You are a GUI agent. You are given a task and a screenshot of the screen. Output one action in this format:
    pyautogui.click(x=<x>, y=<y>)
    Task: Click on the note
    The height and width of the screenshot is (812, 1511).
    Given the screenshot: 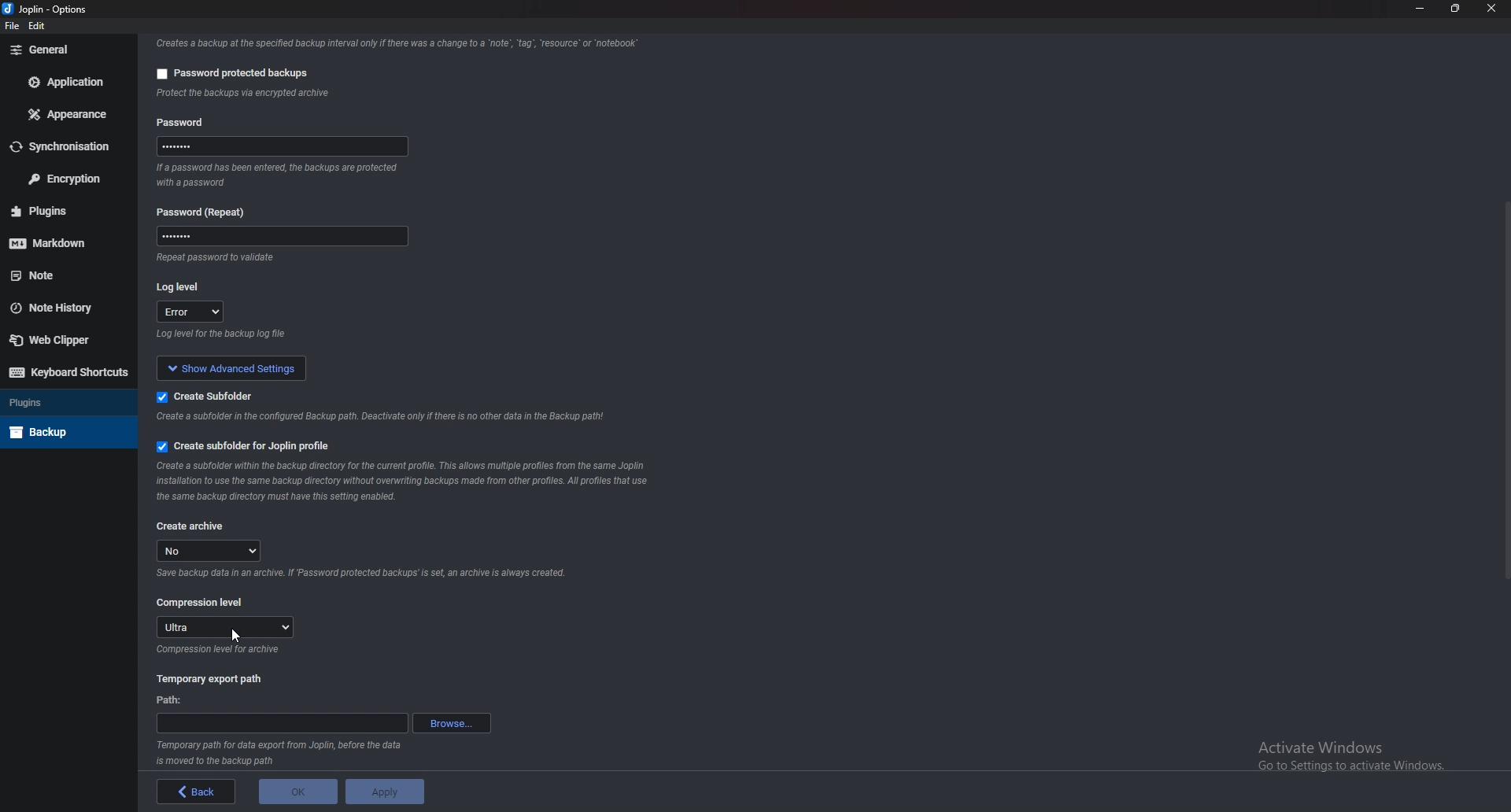 What is the action you would take?
    pyautogui.click(x=62, y=275)
    